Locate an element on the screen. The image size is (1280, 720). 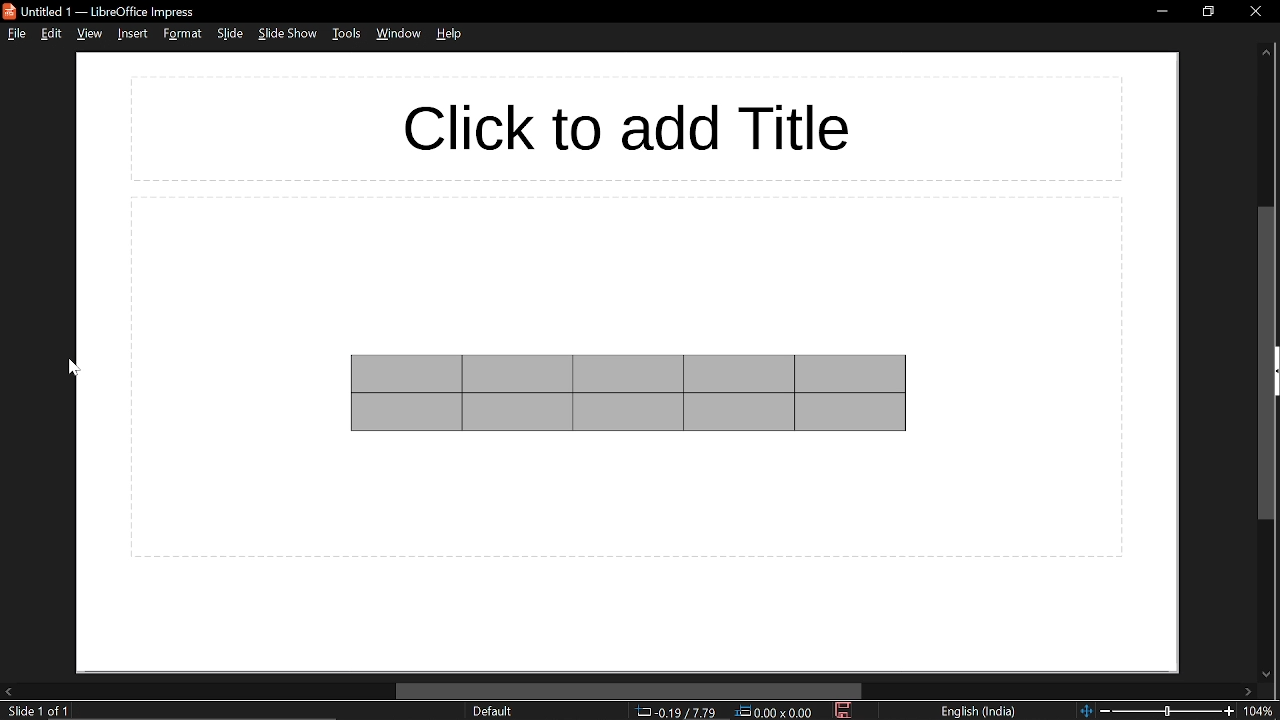
click to add title is located at coordinates (629, 128).